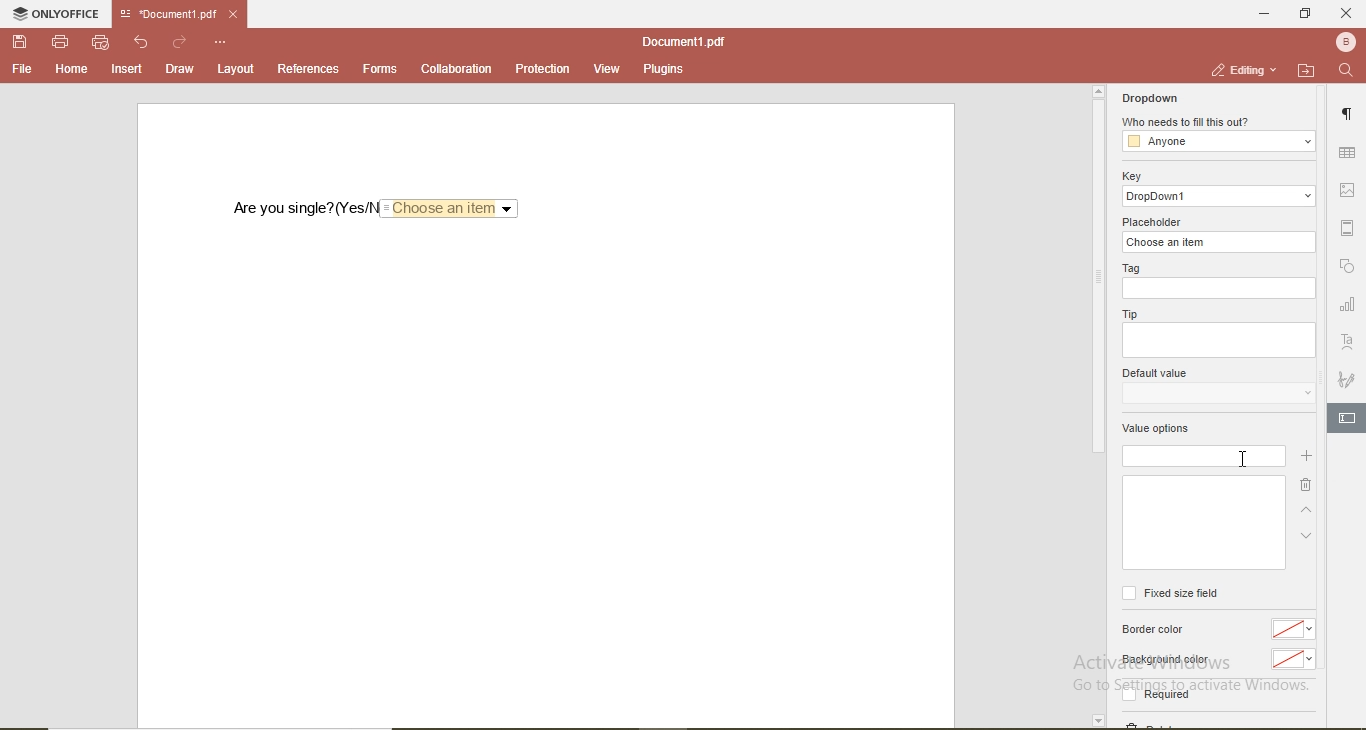 Image resolution: width=1366 pixels, height=730 pixels. Describe the element at coordinates (1151, 220) in the screenshot. I see `placeholder` at that location.